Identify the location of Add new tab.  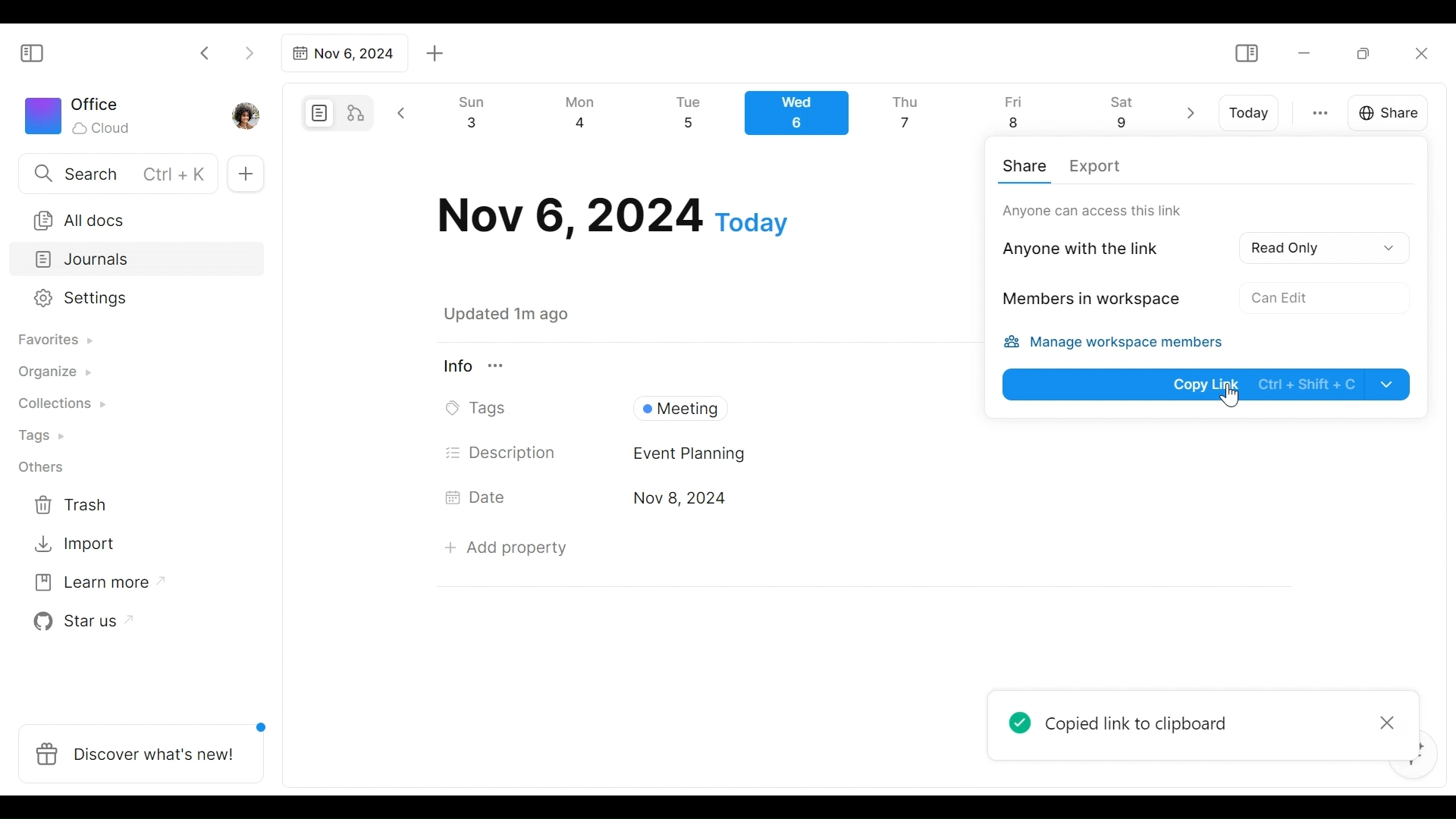
(435, 54).